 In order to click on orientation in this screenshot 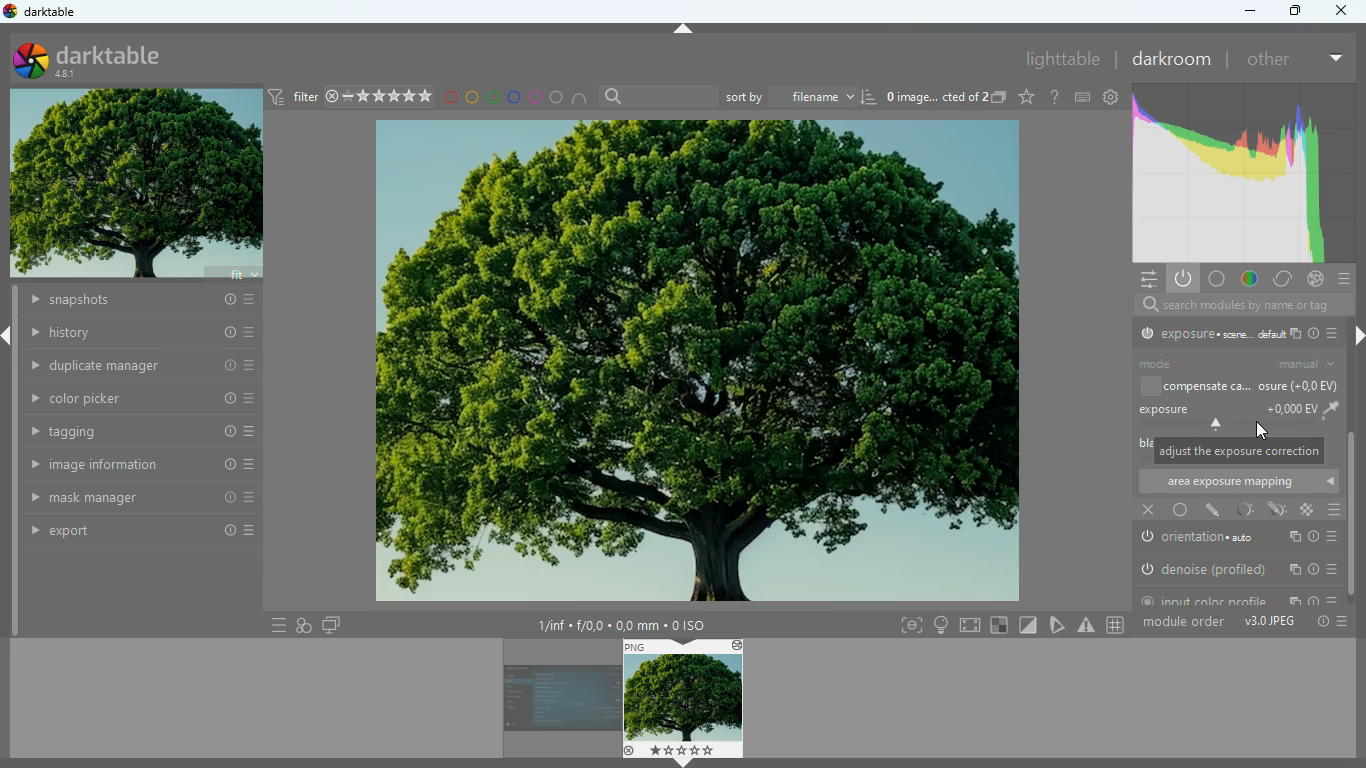, I will do `click(1240, 538)`.